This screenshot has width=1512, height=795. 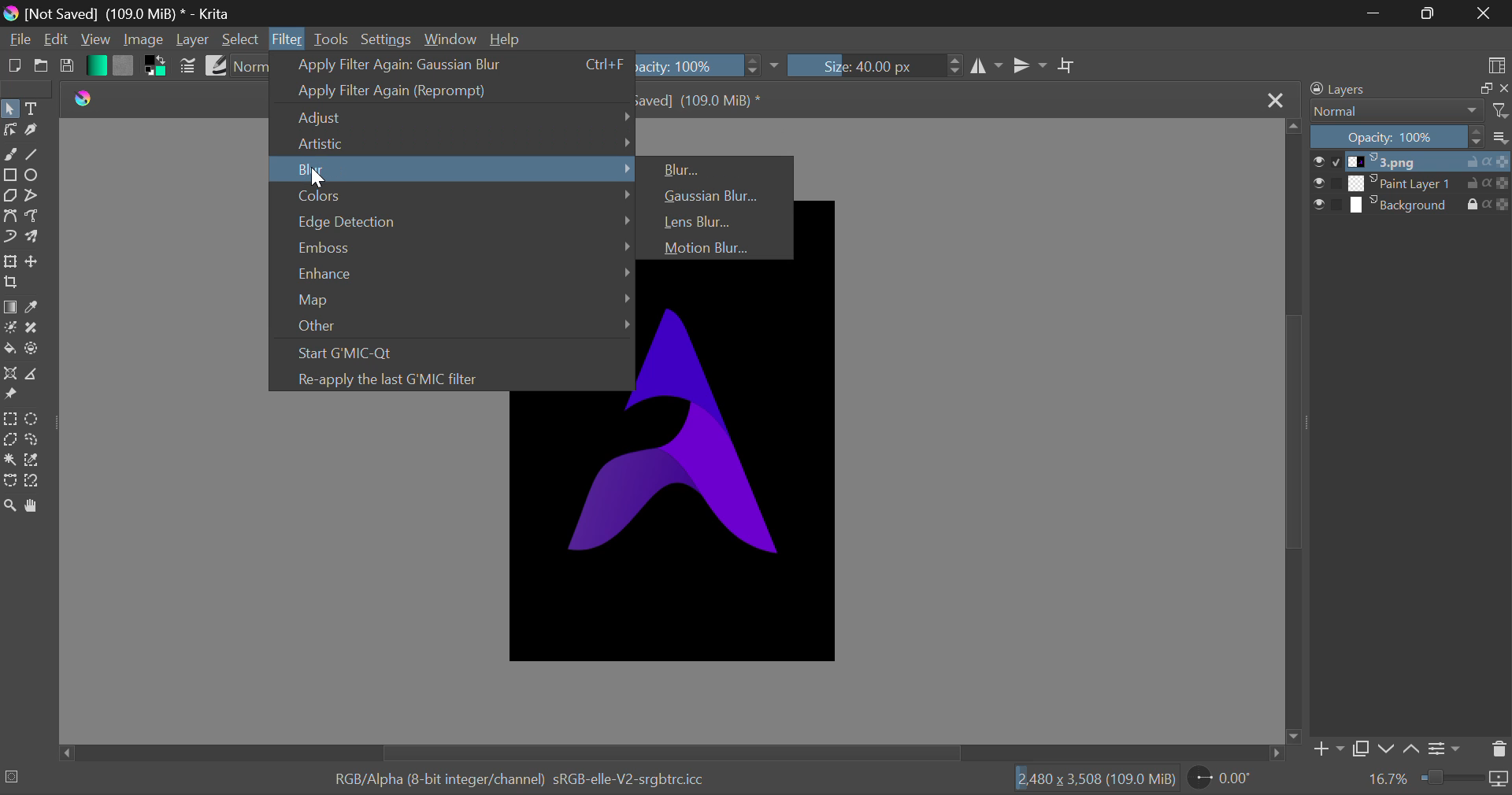 I want to click on Lens Blur, so click(x=717, y=221).